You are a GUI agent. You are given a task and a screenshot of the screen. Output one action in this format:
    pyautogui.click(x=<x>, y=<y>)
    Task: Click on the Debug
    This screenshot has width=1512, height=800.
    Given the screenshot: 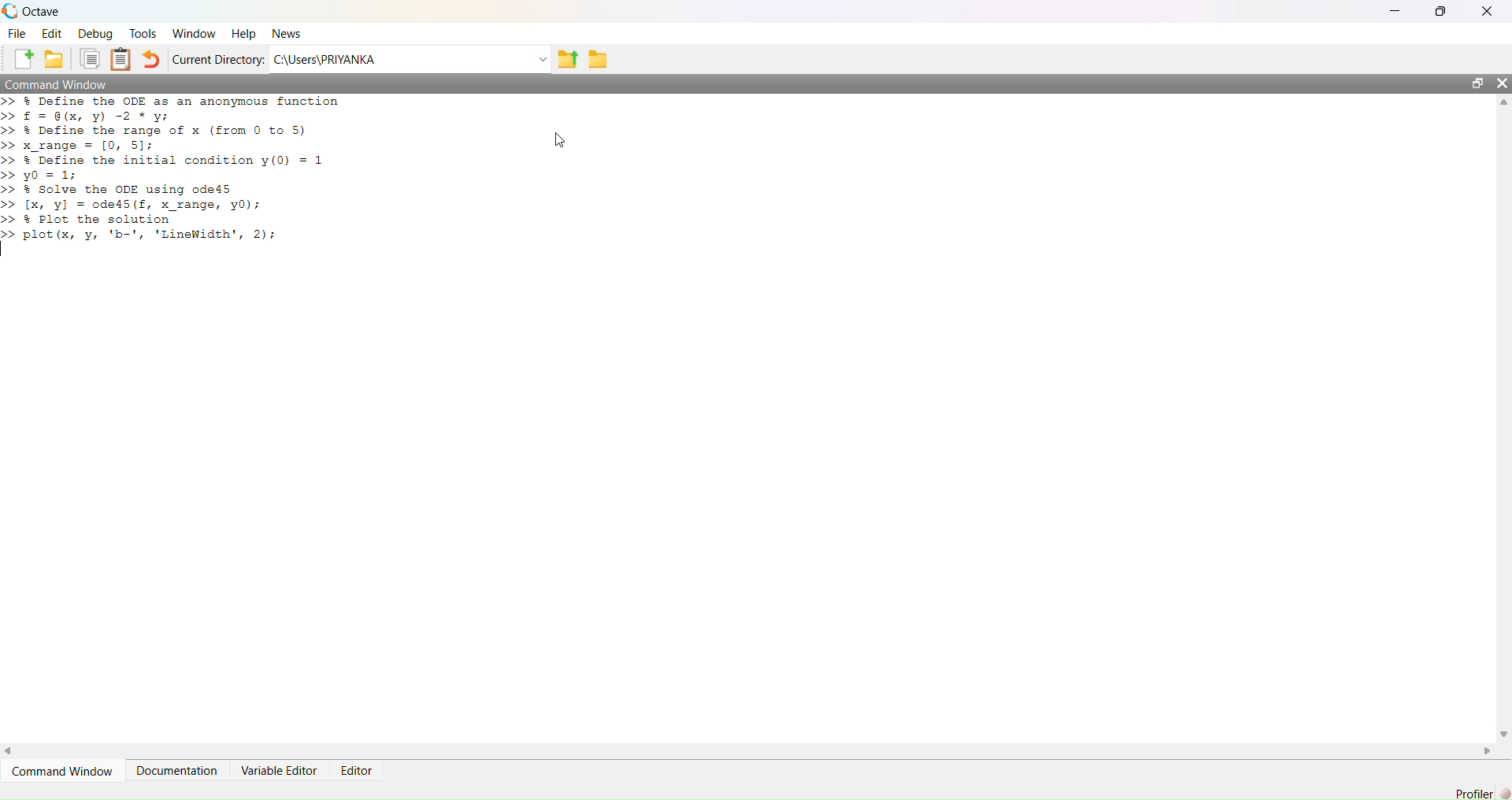 What is the action you would take?
    pyautogui.click(x=95, y=33)
    